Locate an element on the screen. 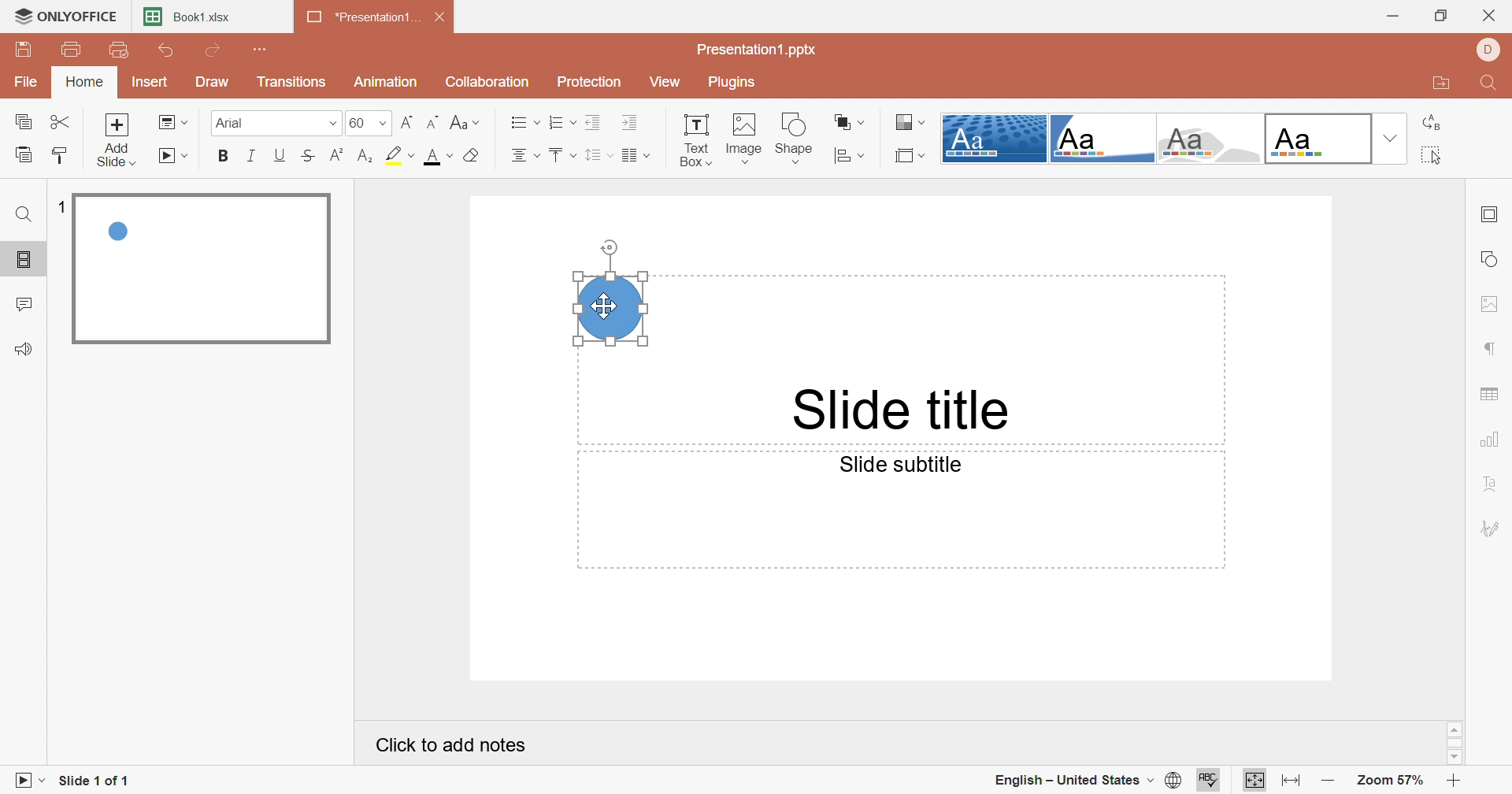  Text box is located at coordinates (695, 139).